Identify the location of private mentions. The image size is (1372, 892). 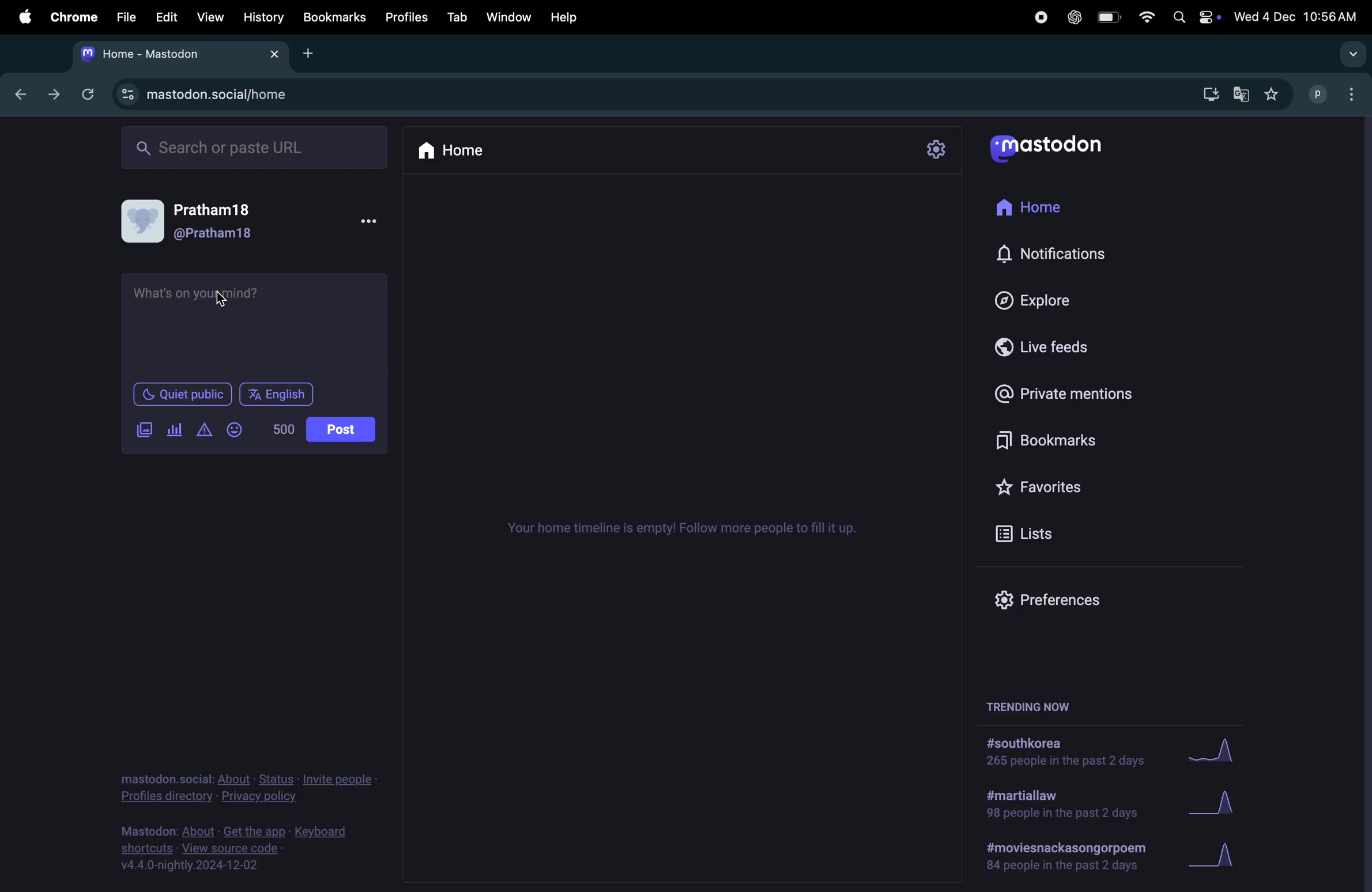
(1075, 392).